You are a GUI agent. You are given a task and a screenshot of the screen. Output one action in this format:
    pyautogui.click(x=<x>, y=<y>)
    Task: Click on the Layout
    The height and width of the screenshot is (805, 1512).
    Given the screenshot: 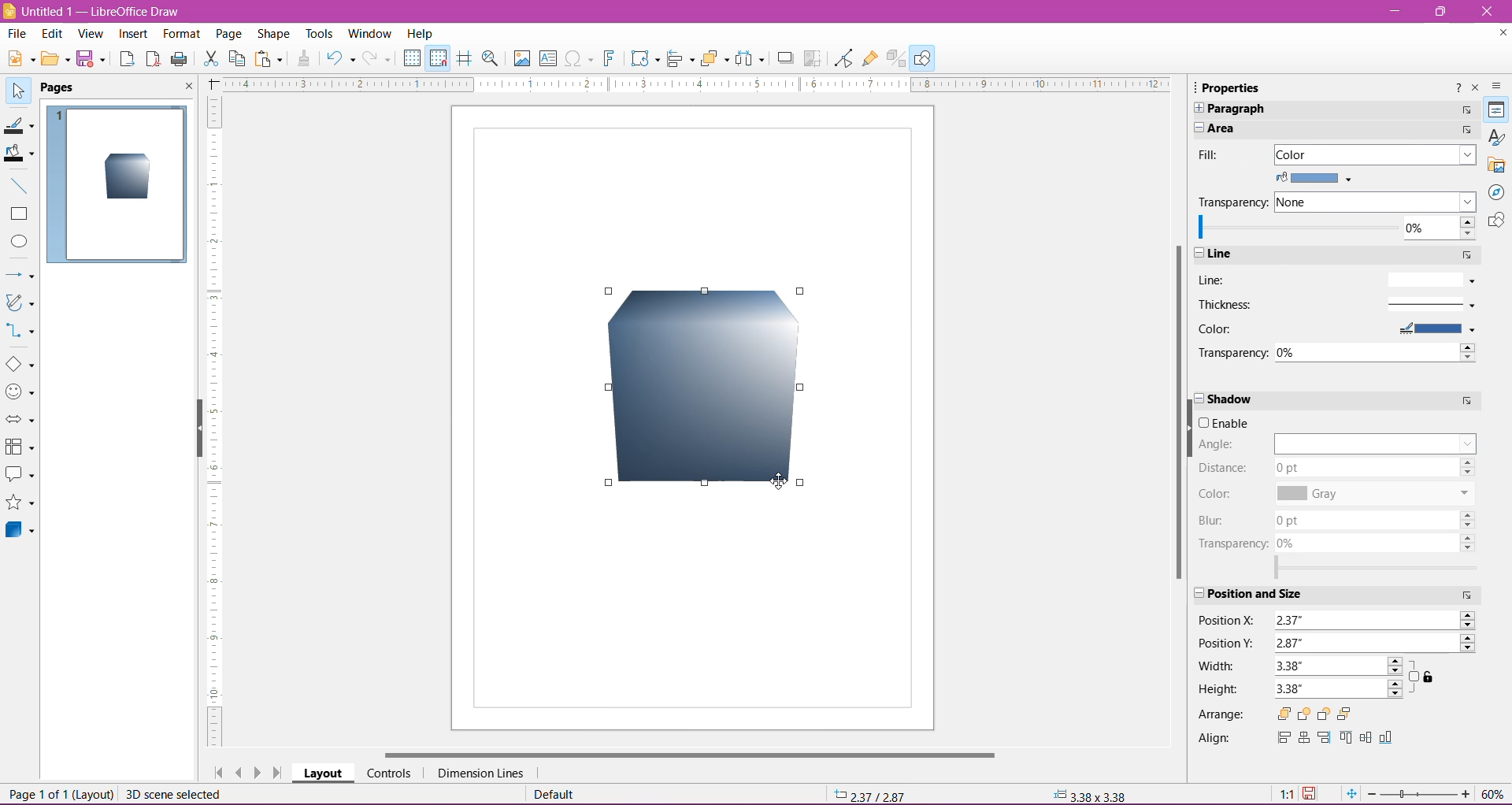 What is the action you would take?
    pyautogui.click(x=323, y=773)
    